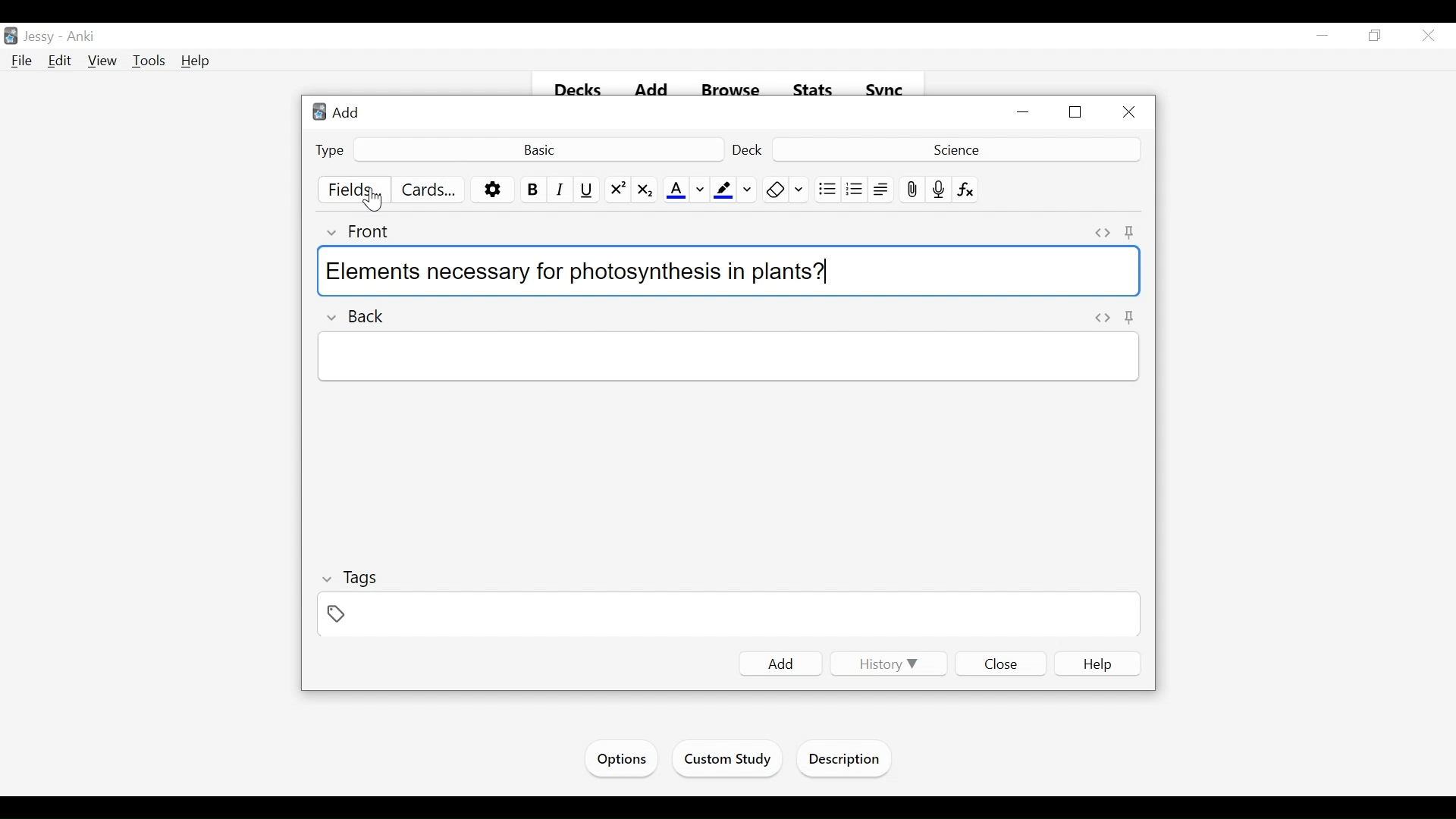 The image size is (1456, 819). I want to click on Ordered list, so click(855, 190).